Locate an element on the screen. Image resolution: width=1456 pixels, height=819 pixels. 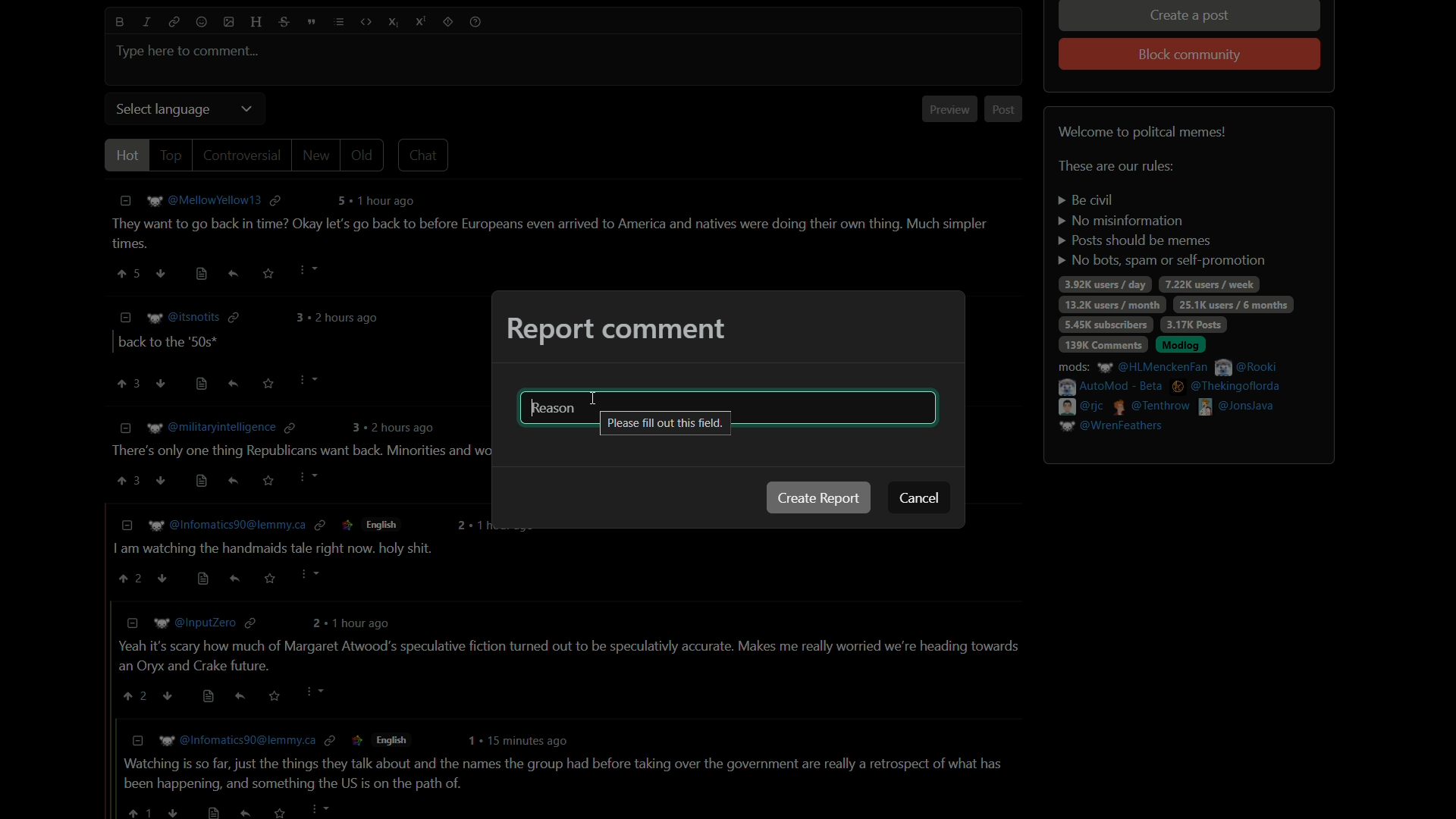
create a post is located at coordinates (1191, 17).